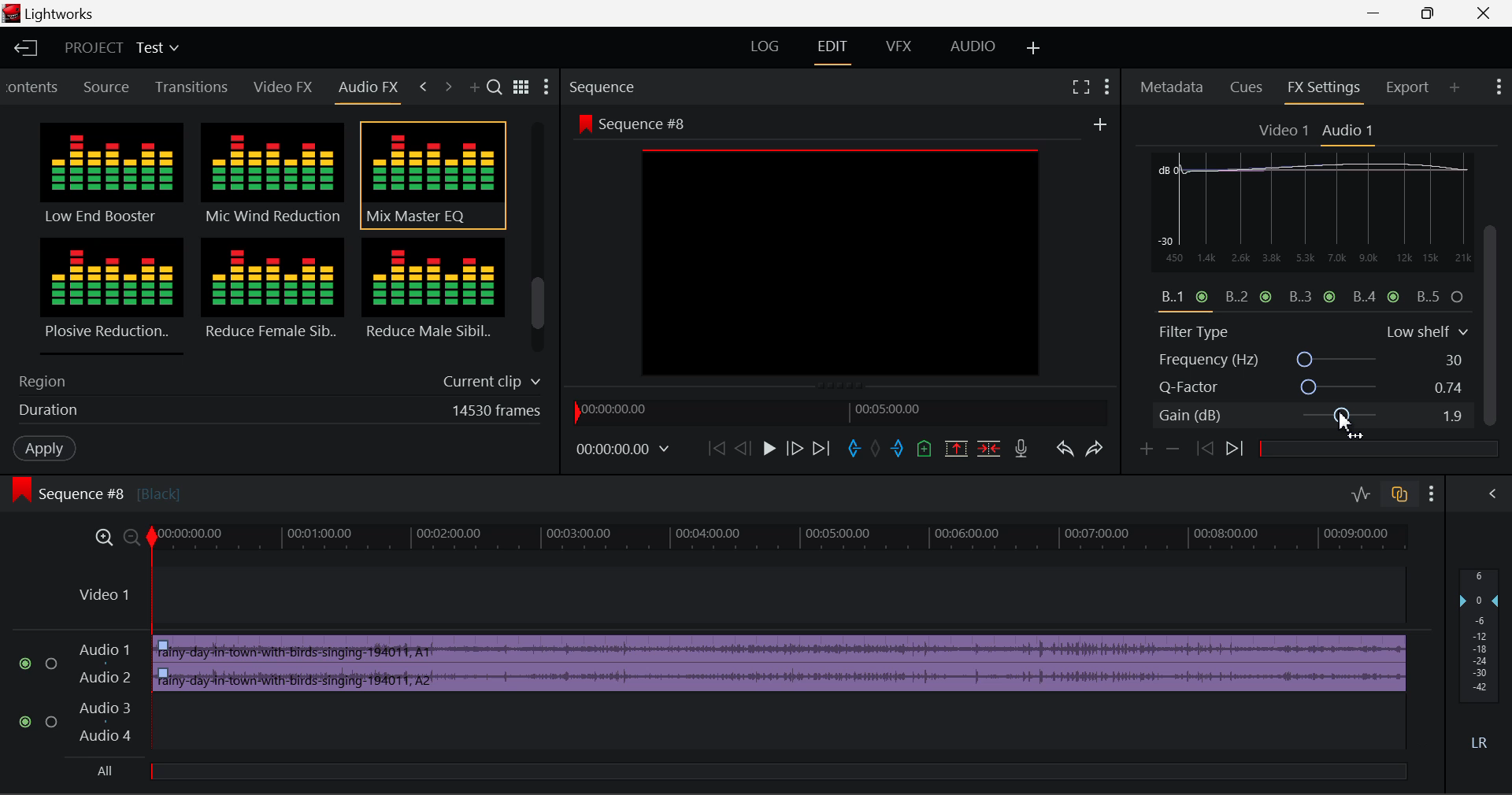  I want to click on Lightworks, so click(71, 14).